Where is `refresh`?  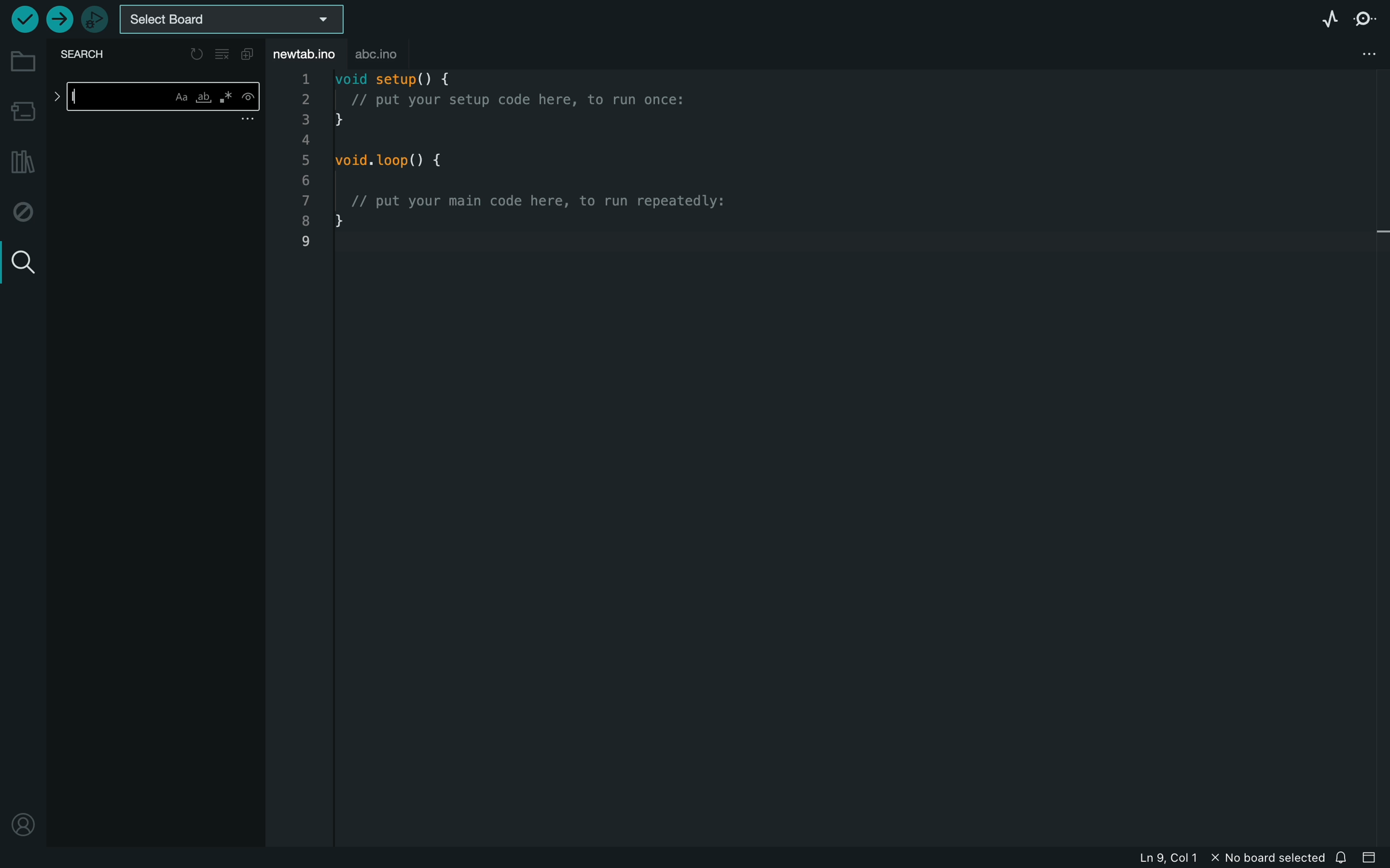
refresh is located at coordinates (195, 52).